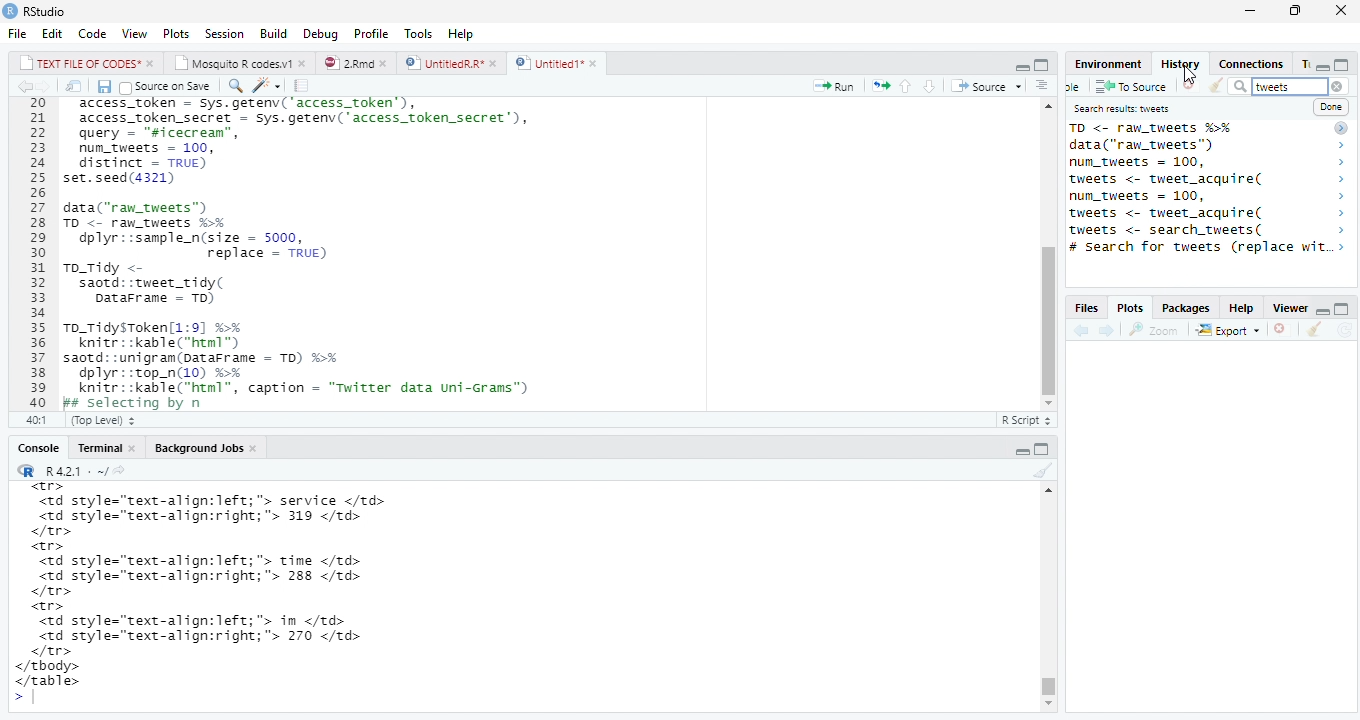 The width and height of the screenshot is (1360, 720). What do you see at coordinates (1161, 330) in the screenshot?
I see `Zoom ` at bounding box center [1161, 330].